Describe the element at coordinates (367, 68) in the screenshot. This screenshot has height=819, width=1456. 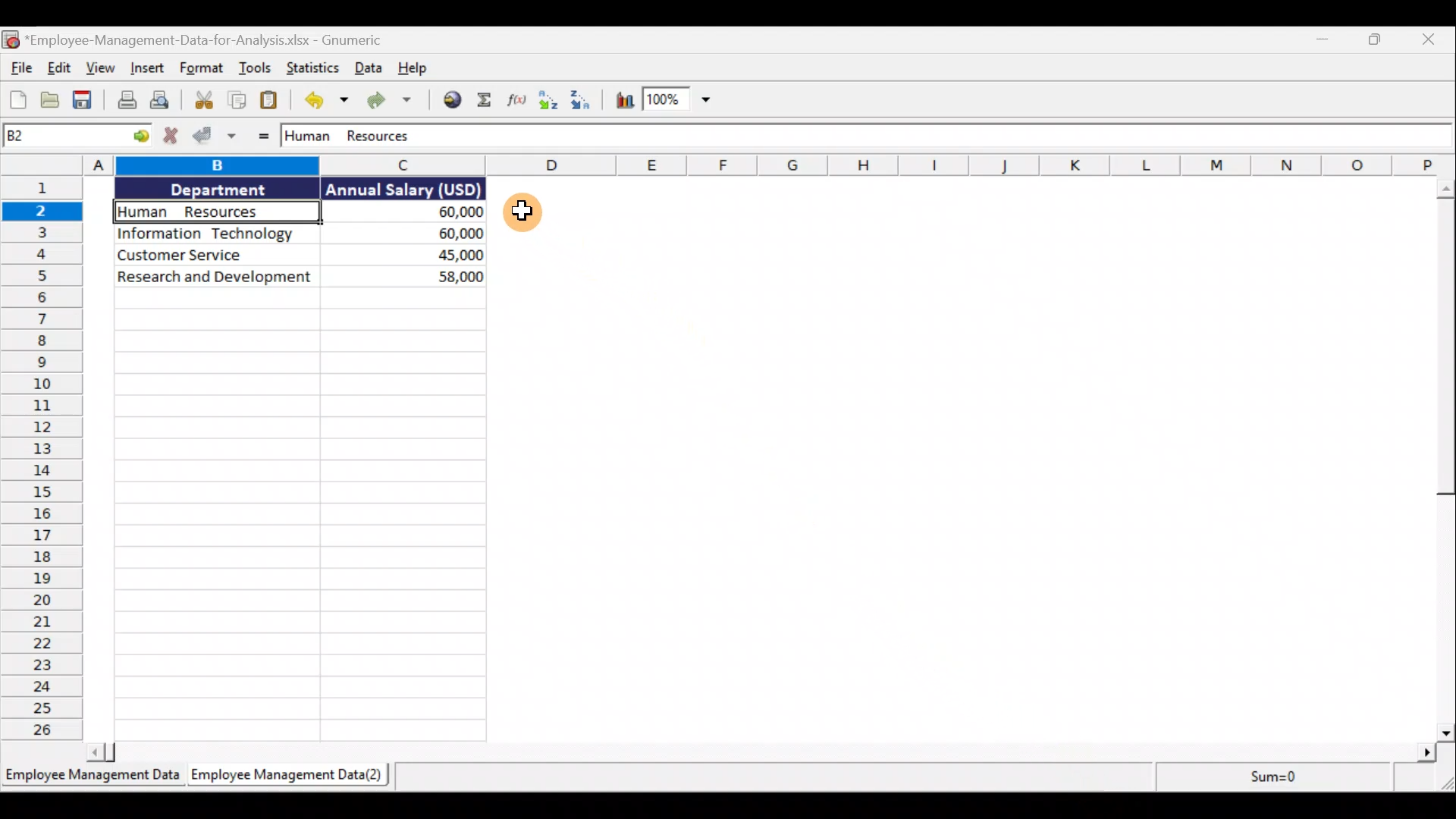
I see `Data` at that location.